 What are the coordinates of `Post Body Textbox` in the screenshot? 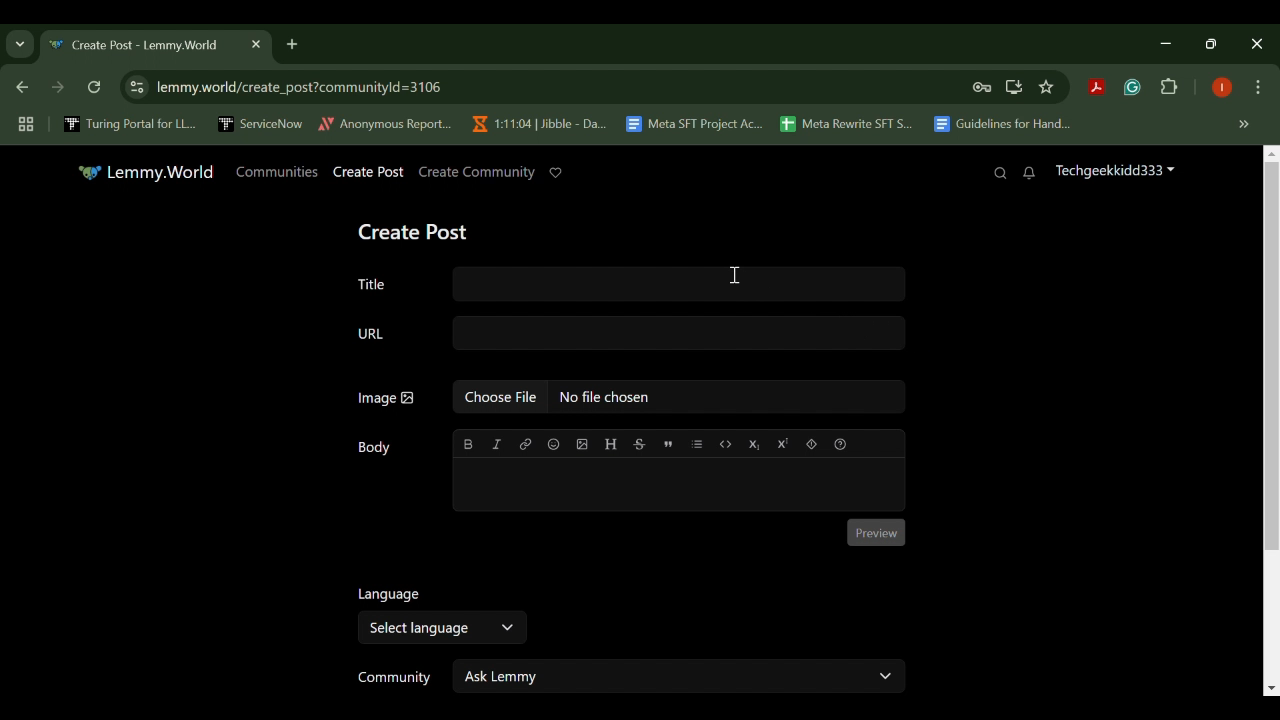 It's located at (676, 484).